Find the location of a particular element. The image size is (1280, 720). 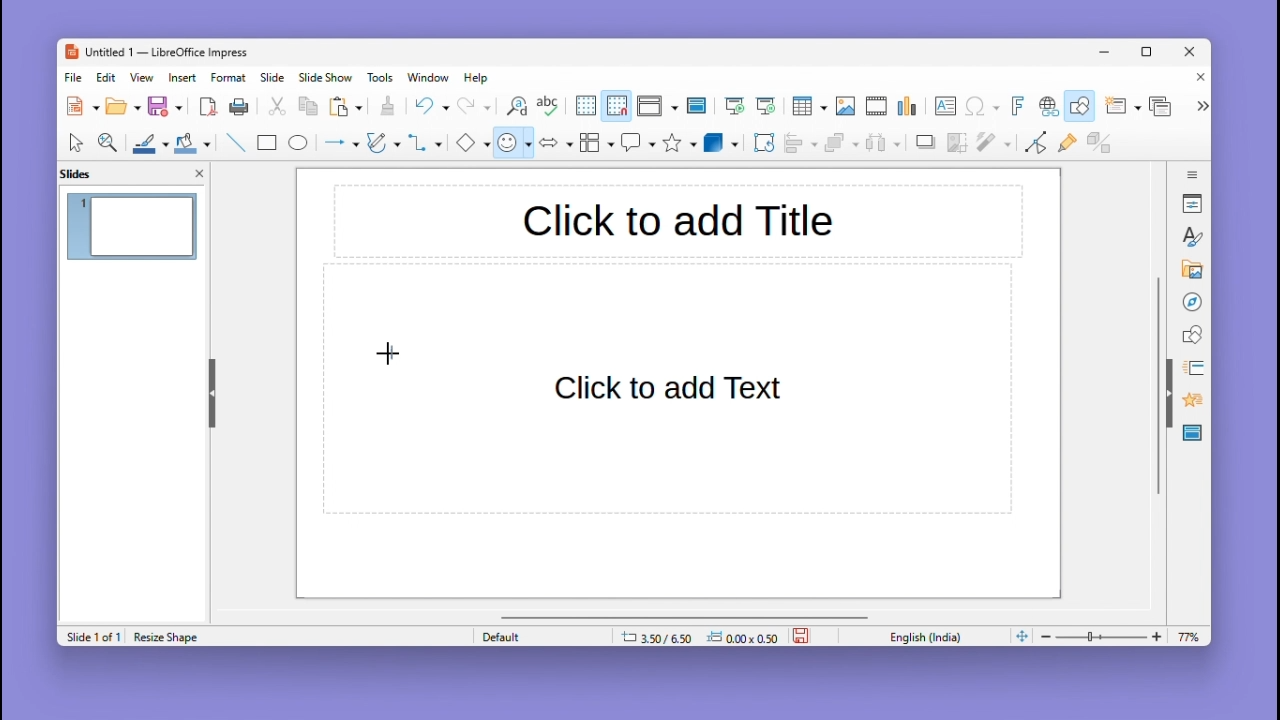

Print is located at coordinates (239, 107).